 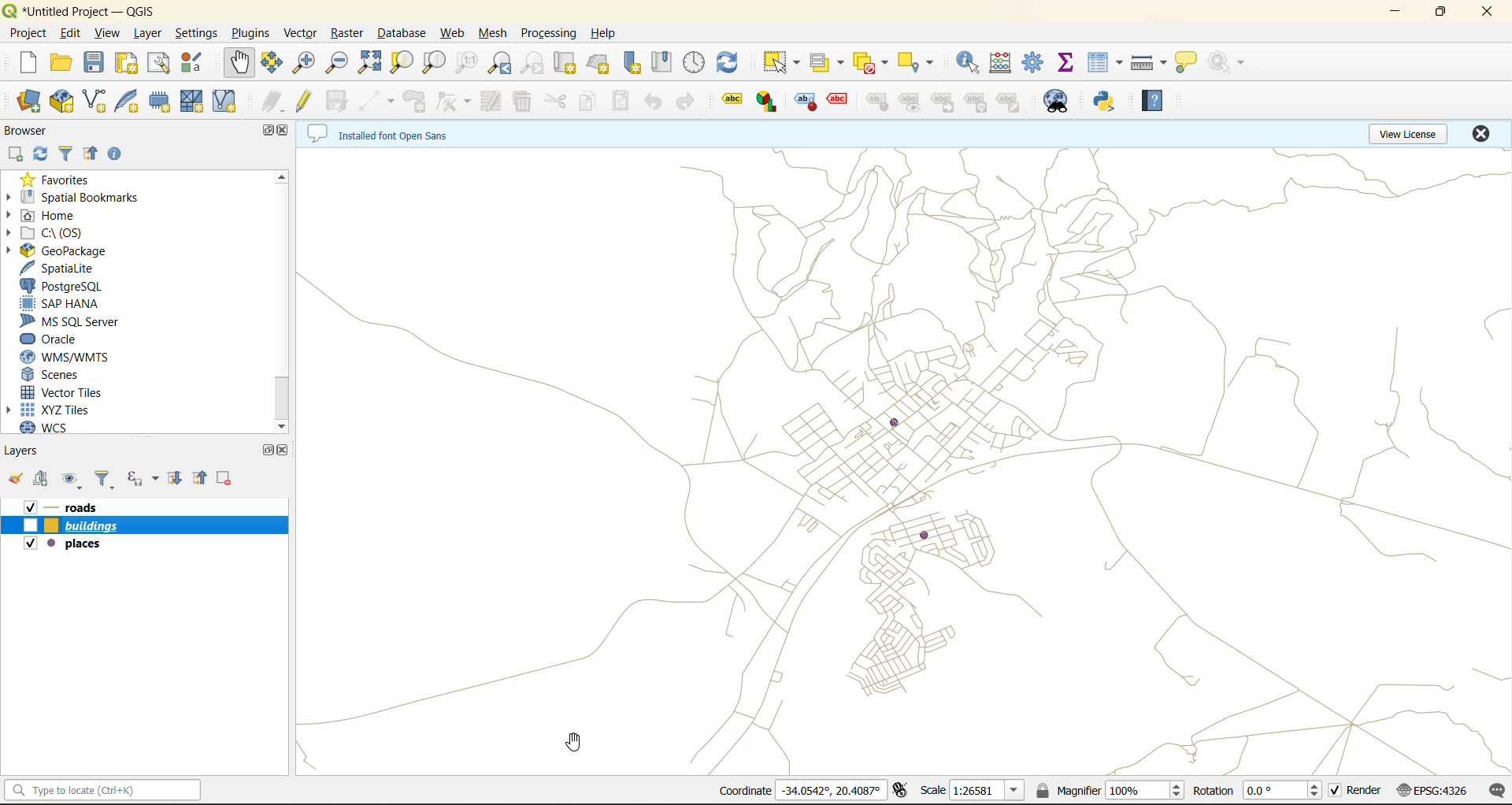 What do you see at coordinates (653, 102) in the screenshot?
I see `undo` at bounding box center [653, 102].